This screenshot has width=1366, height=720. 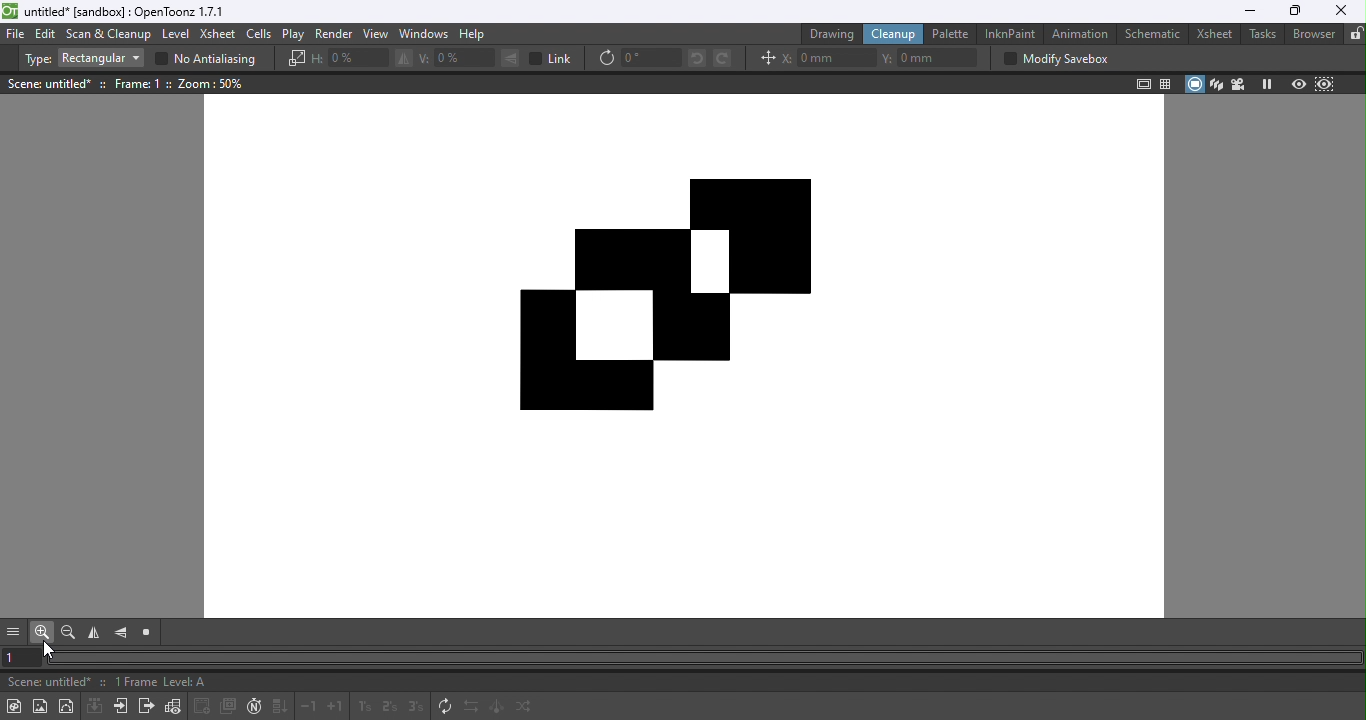 I want to click on Camera view, so click(x=1238, y=84).